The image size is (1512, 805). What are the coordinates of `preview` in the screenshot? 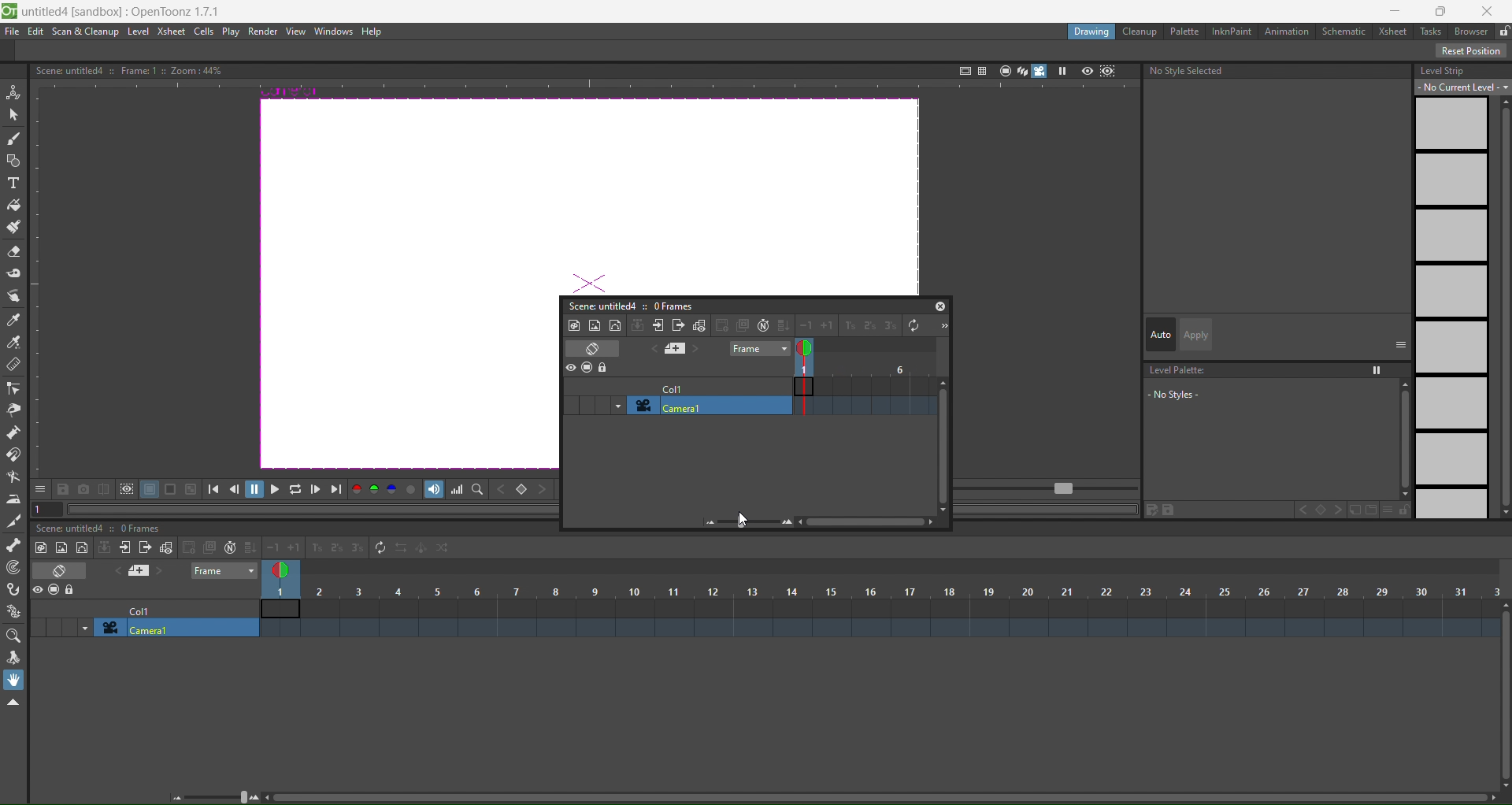 It's located at (1087, 70).